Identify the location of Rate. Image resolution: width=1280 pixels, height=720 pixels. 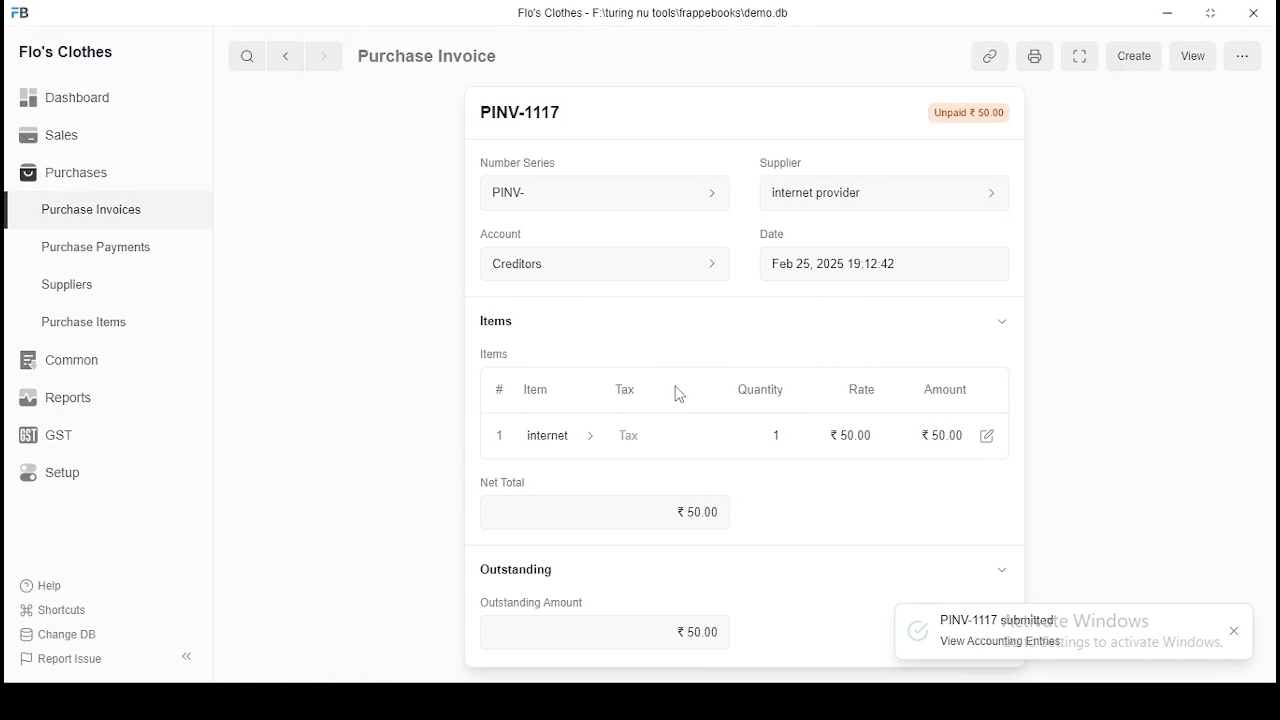
(857, 389).